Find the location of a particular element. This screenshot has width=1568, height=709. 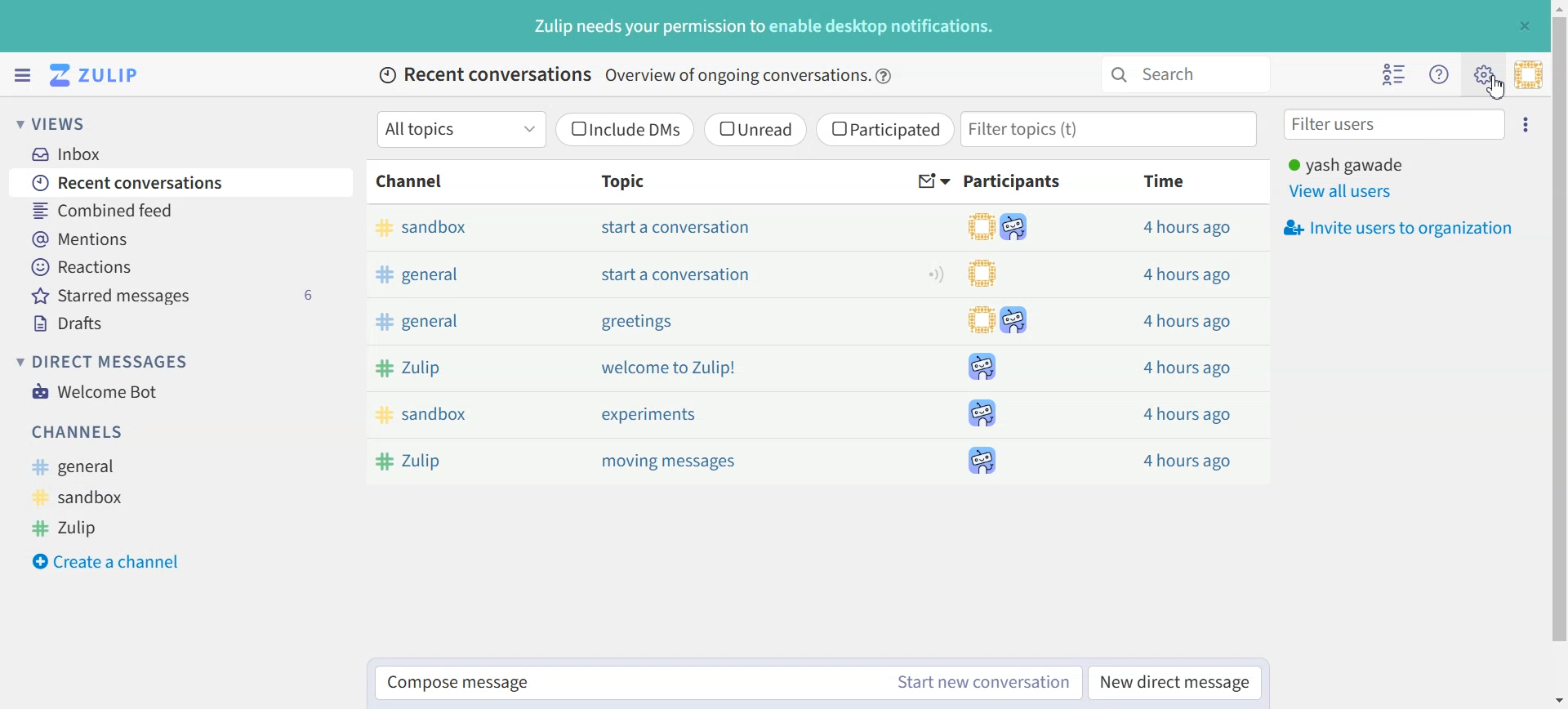

New direct messages is located at coordinates (1174, 681).